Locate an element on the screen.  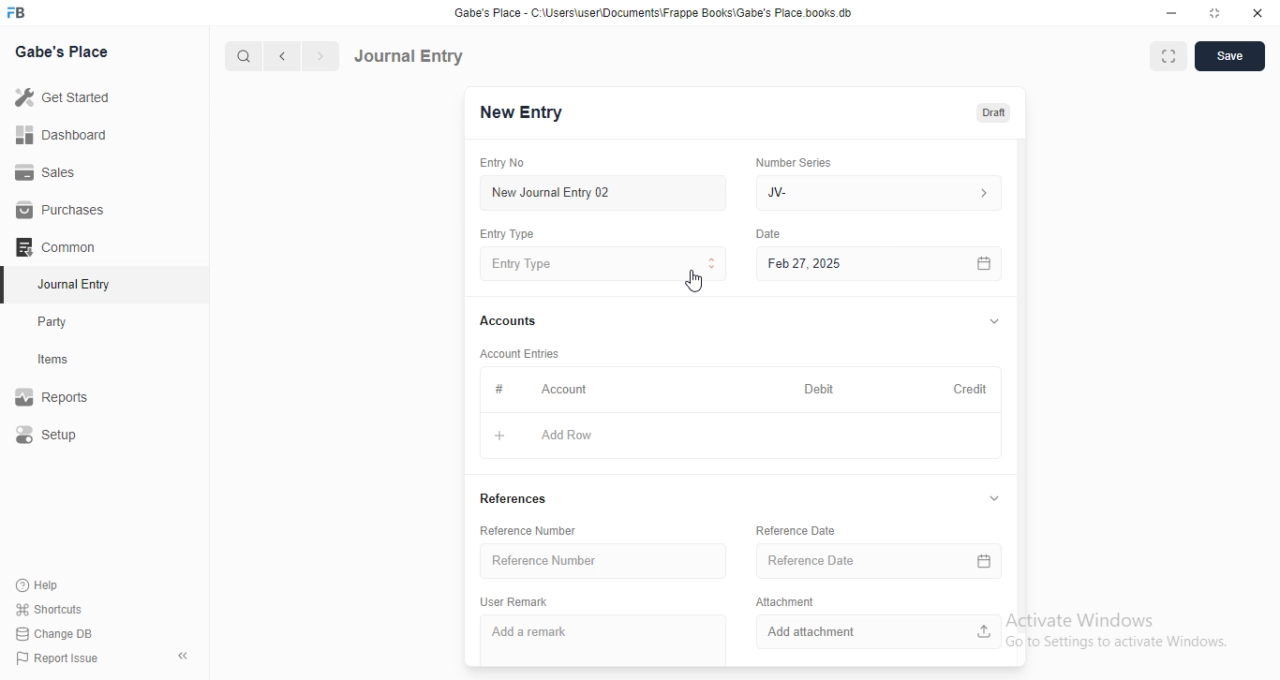
Dashboard is located at coordinates (62, 135).